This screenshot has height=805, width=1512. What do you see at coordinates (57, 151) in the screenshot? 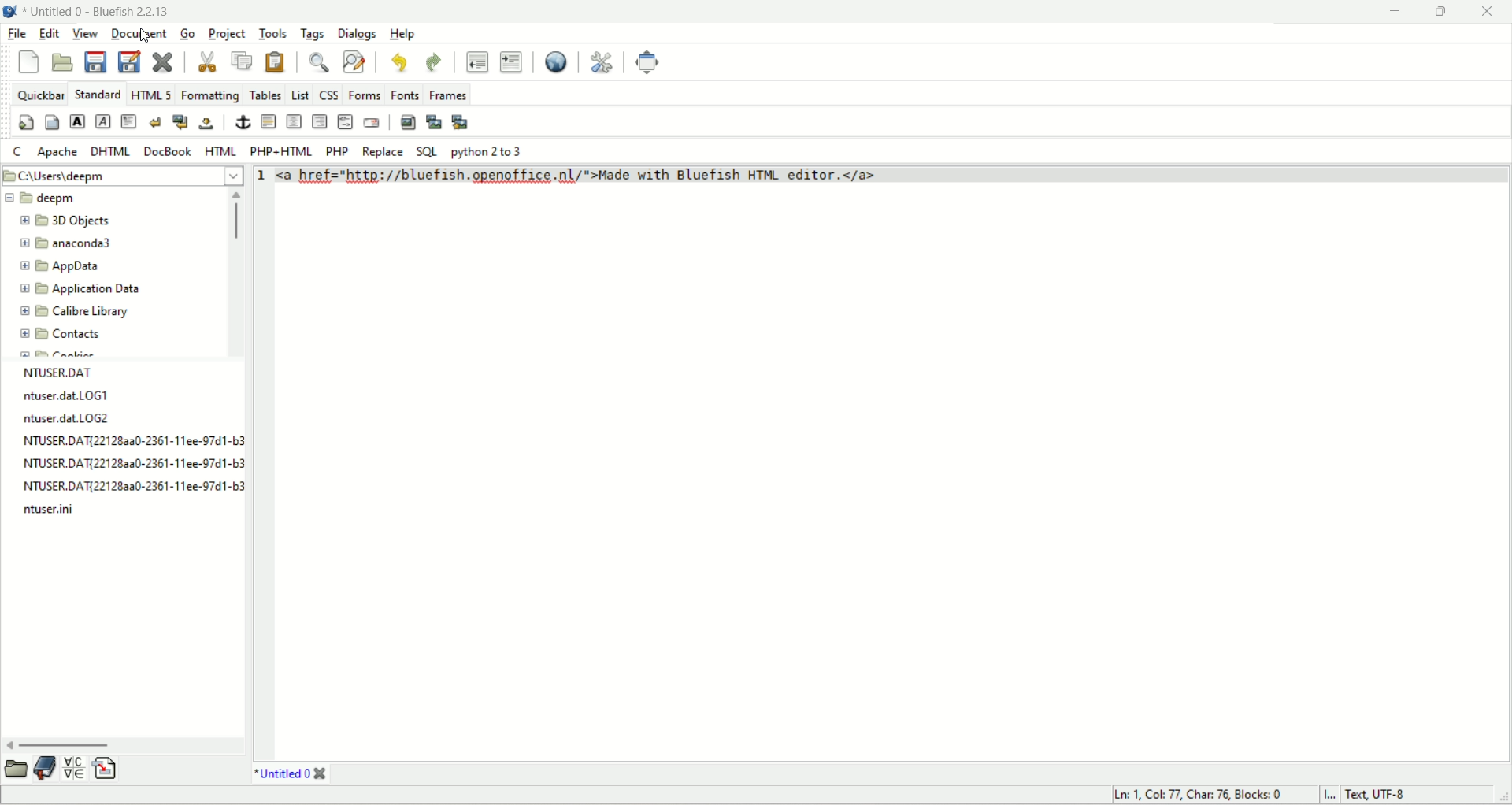
I see `APACHE` at bounding box center [57, 151].